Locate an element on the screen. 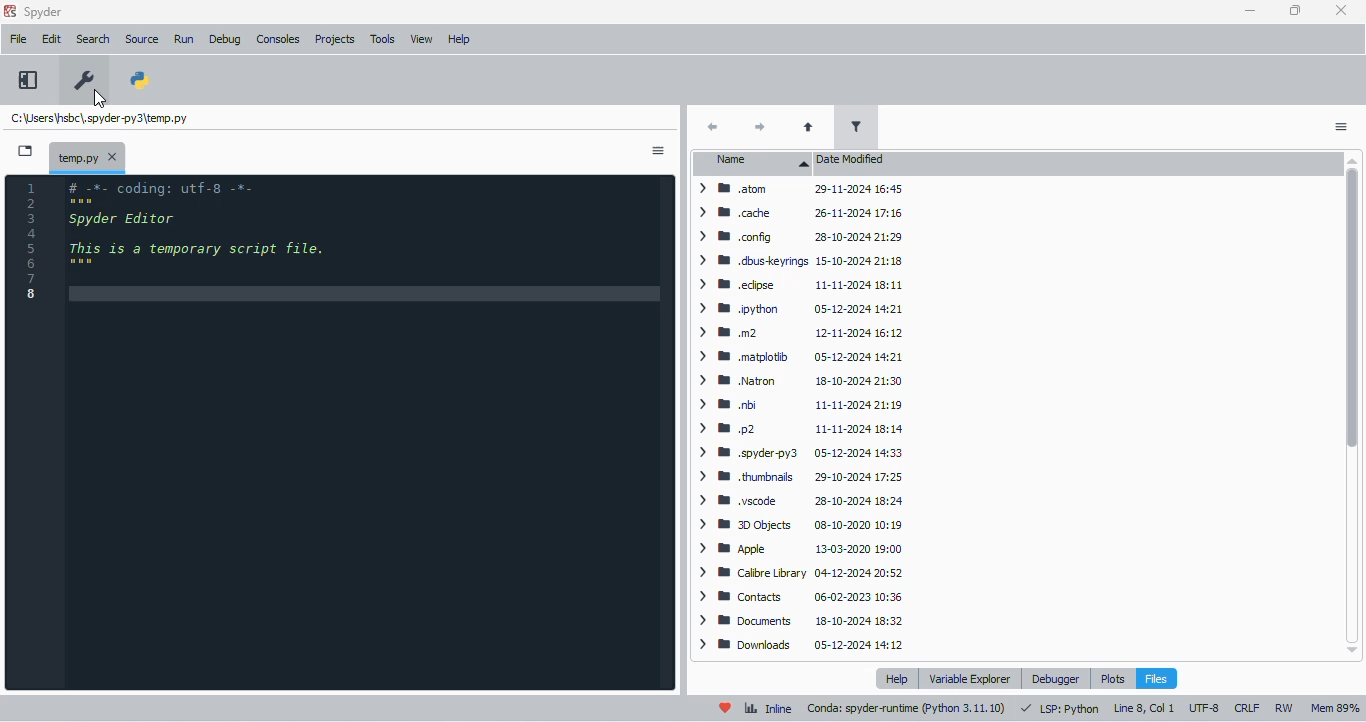  inline is located at coordinates (768, 708).